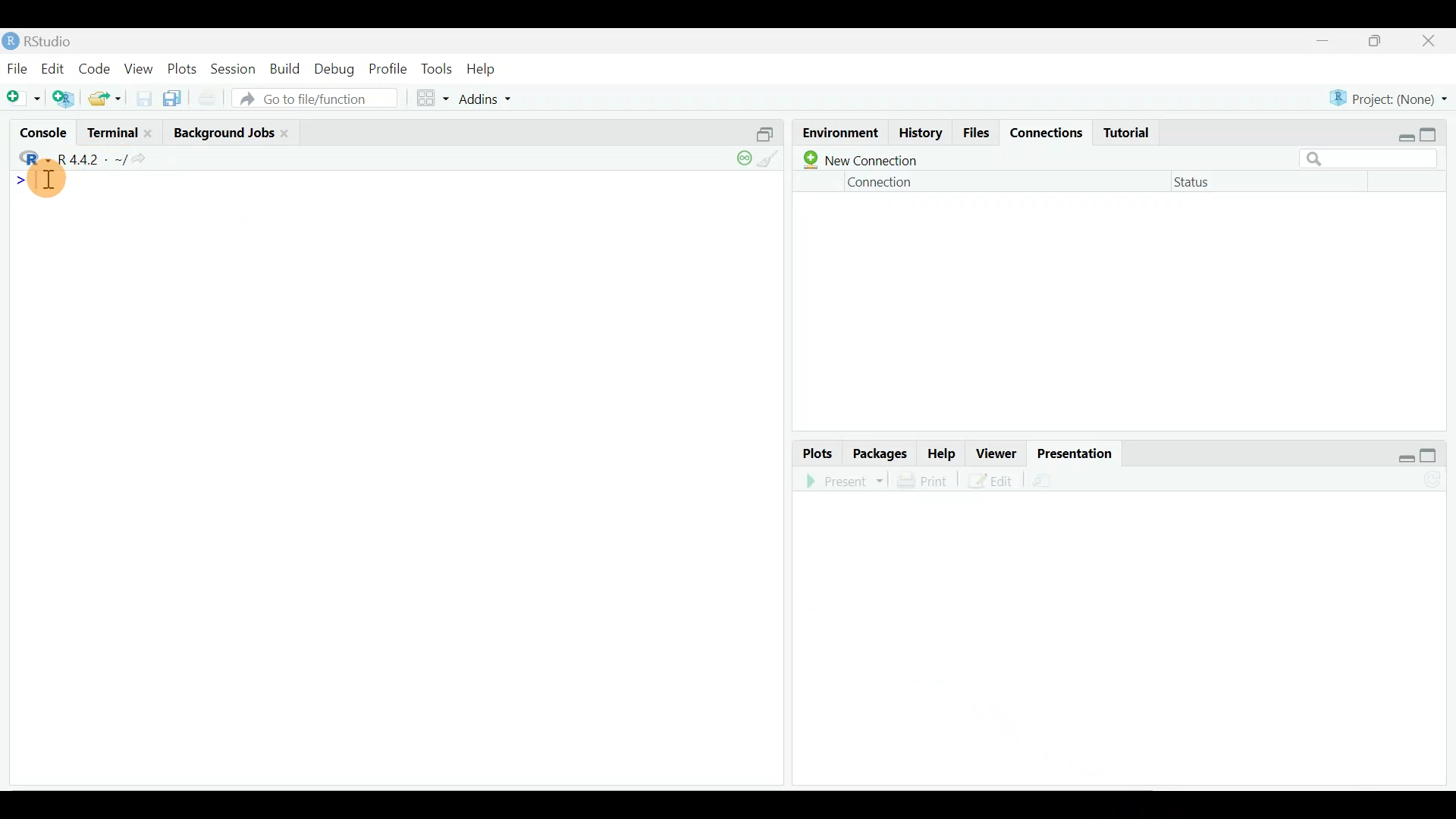 The image size is (1456, 819). Describe the element at coordinates (1128, 127) in the screenshot. I see `Tutorial` at that location.